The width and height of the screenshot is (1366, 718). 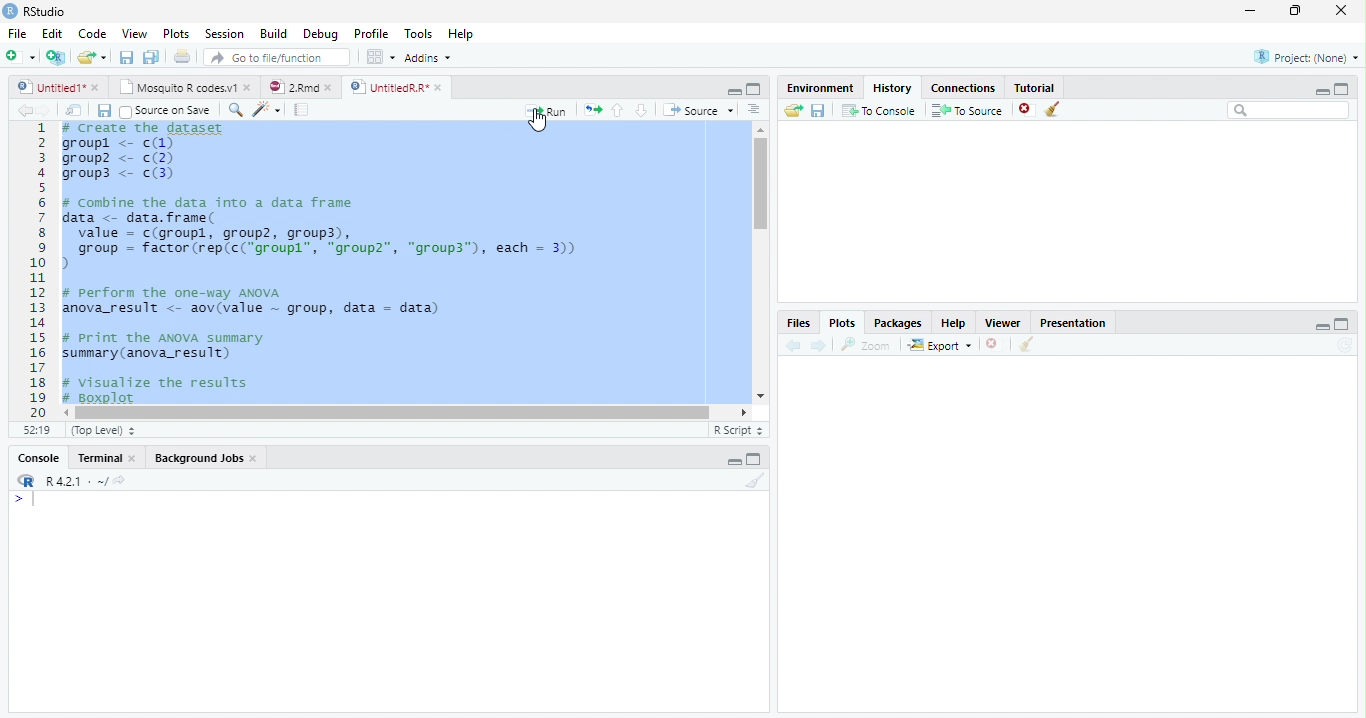 I want to click on 2Rmd, so click(x=299, y=85).